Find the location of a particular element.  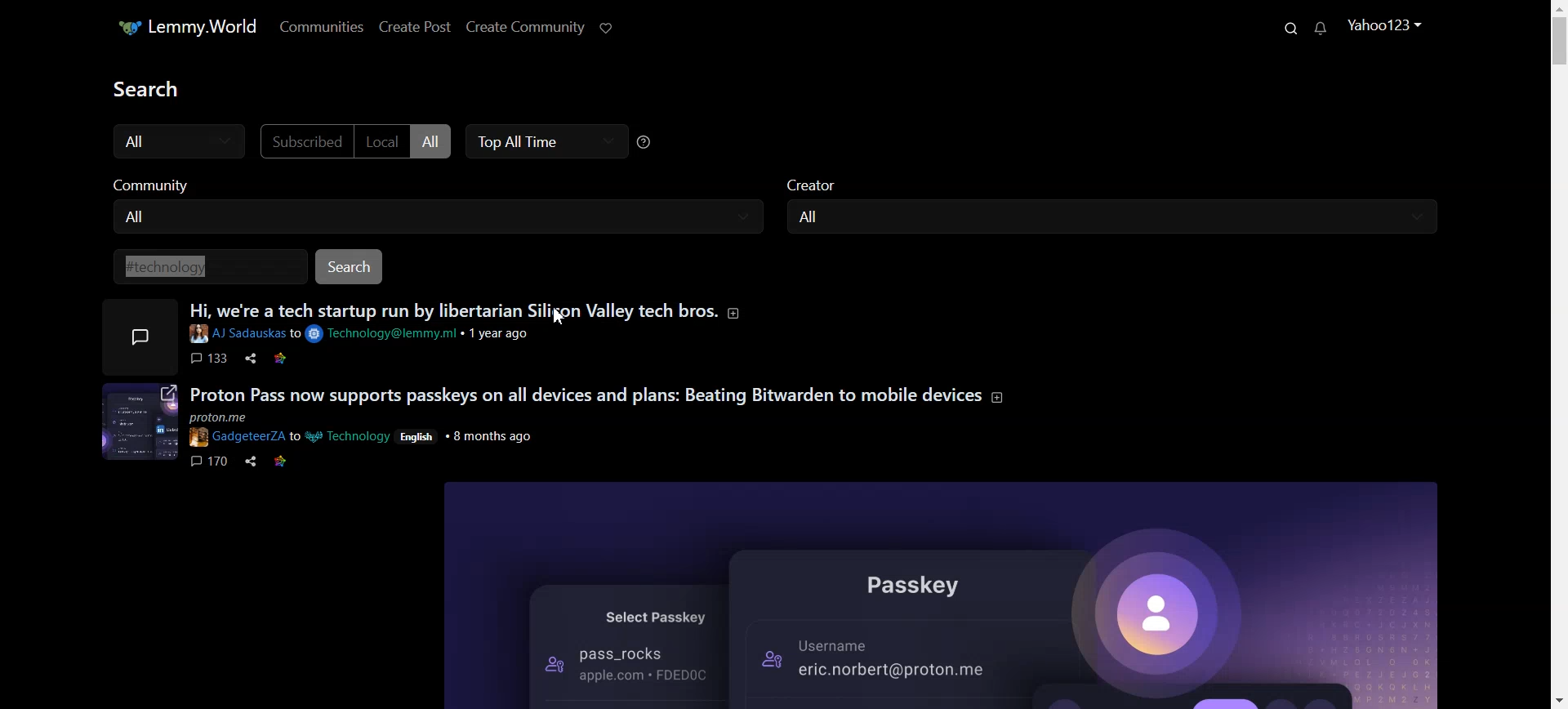

scroll bar is located at coordinates (1558, 361).